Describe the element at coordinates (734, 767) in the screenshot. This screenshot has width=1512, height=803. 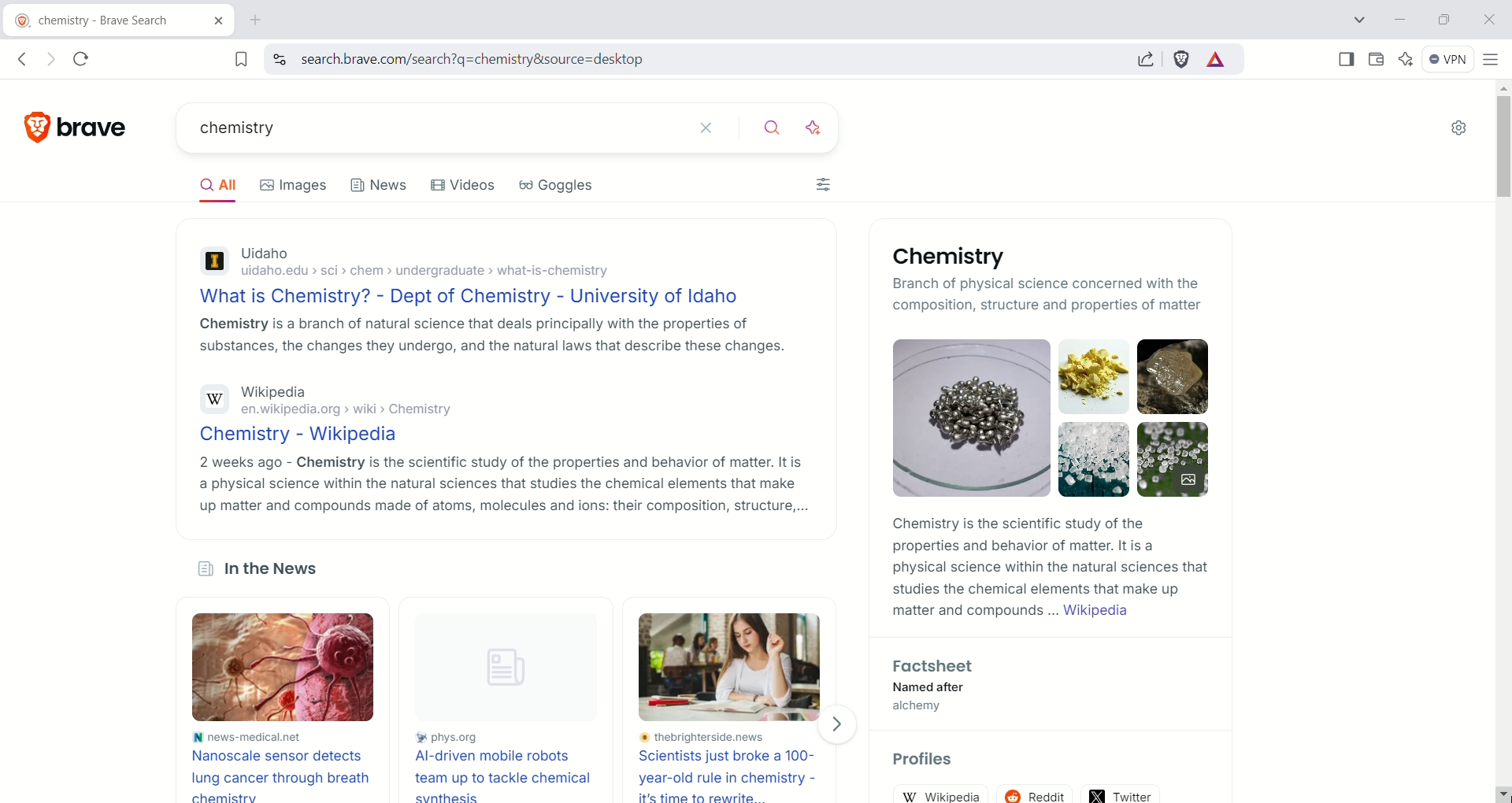
I see `thebrighterside.news scientists just broke a 100-year-old rule in chemistry - it's time to rewrite` at that location.